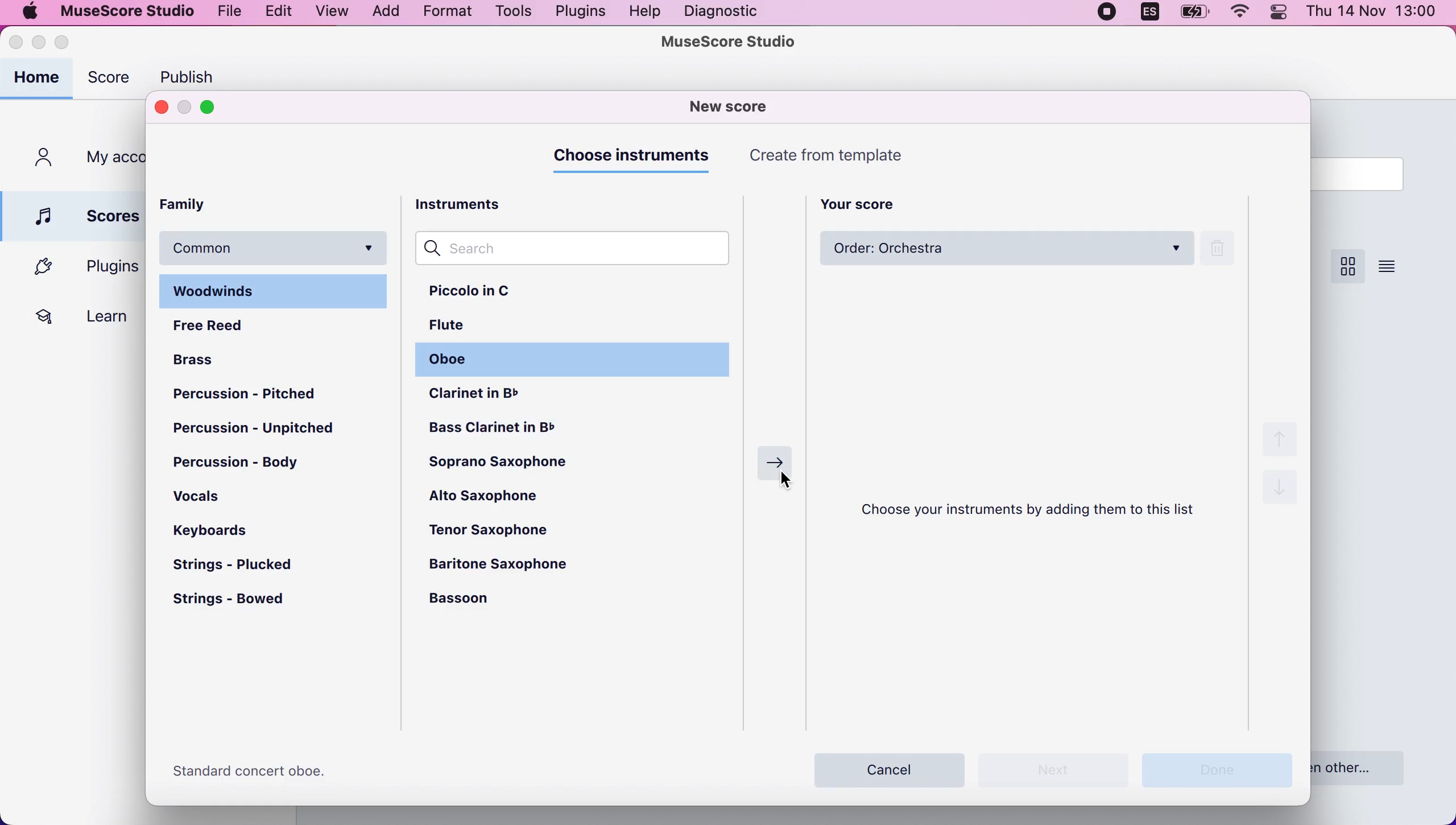  What do you see at coordinates (1282, 18) in the screenshot?
I see `panel control` at bounding box center [1282, 18].